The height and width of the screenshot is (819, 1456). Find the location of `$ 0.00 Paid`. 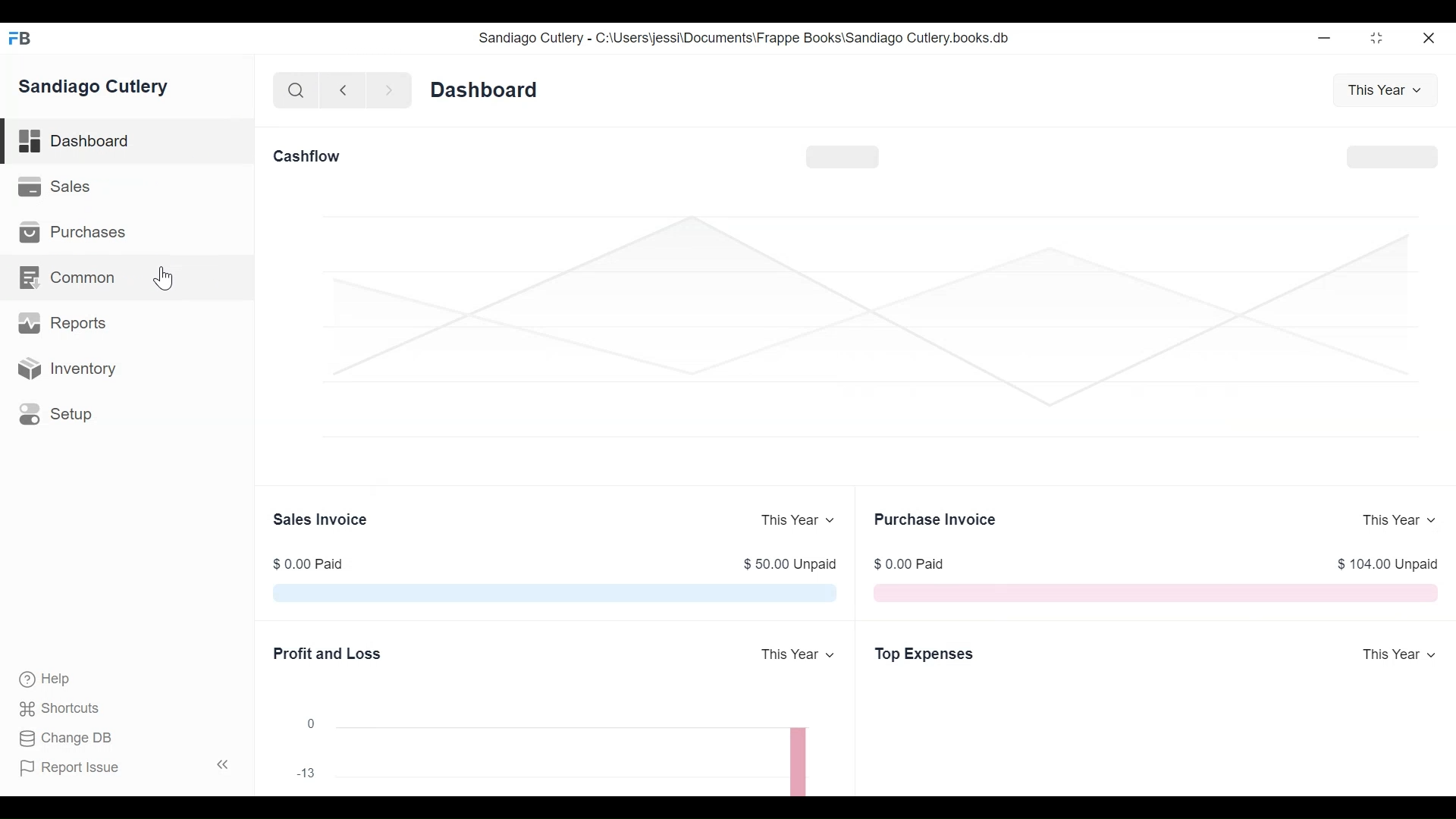

$ 0.00 Paid is located at coordinates (908, 563).